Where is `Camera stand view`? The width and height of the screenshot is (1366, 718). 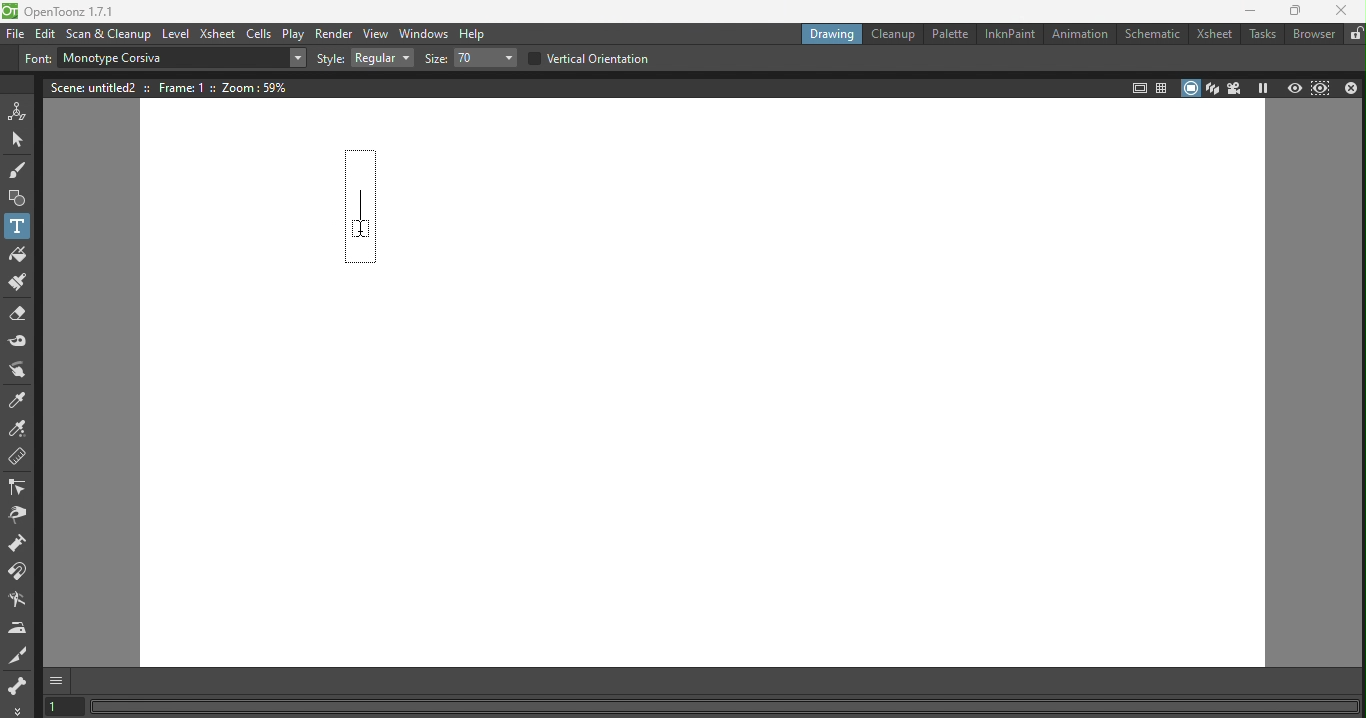 Camera stand view is located at coordinates (1187, 89).